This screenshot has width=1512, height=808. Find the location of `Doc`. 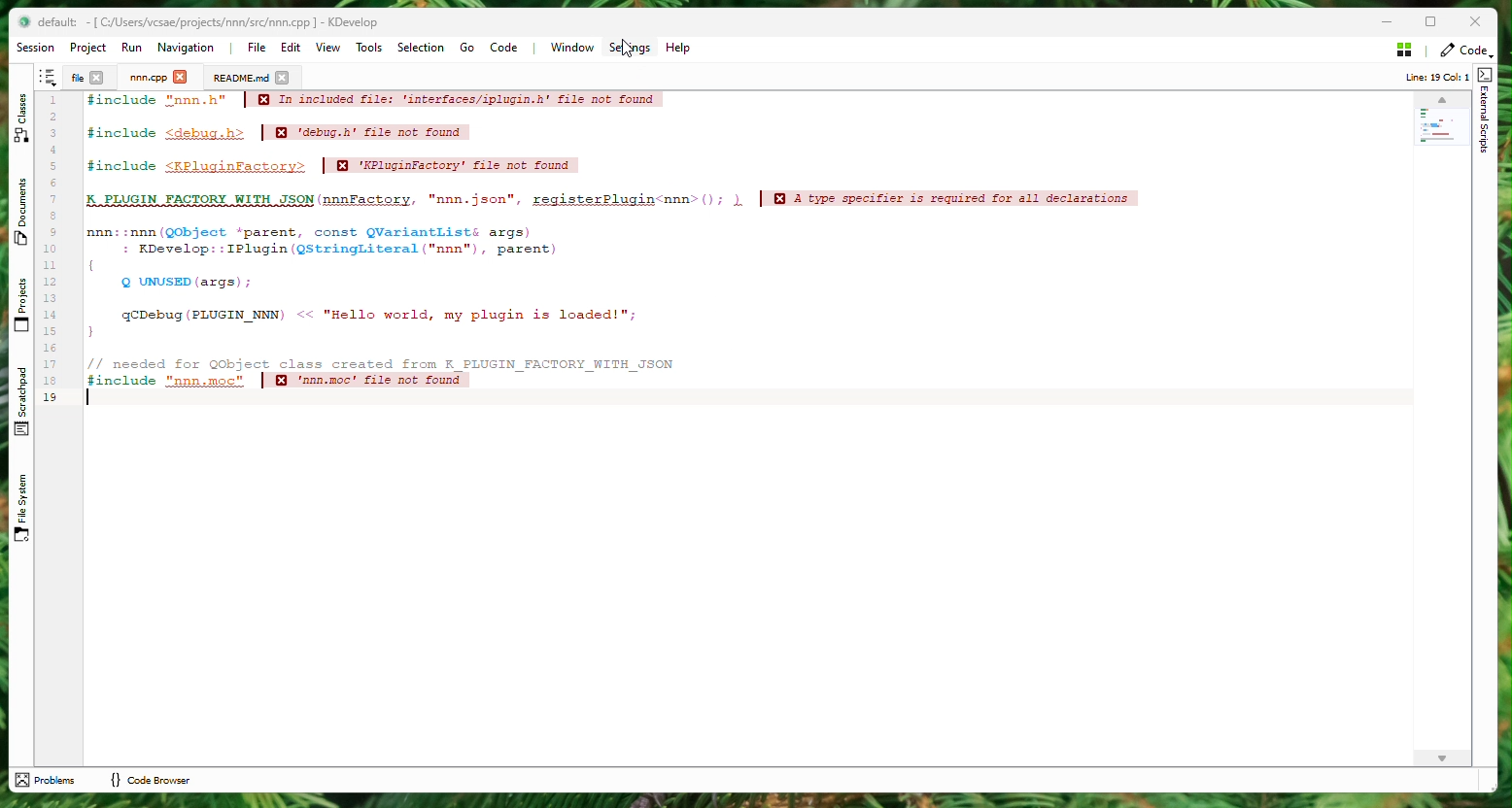

Doc is located at coordinates (238, 78).